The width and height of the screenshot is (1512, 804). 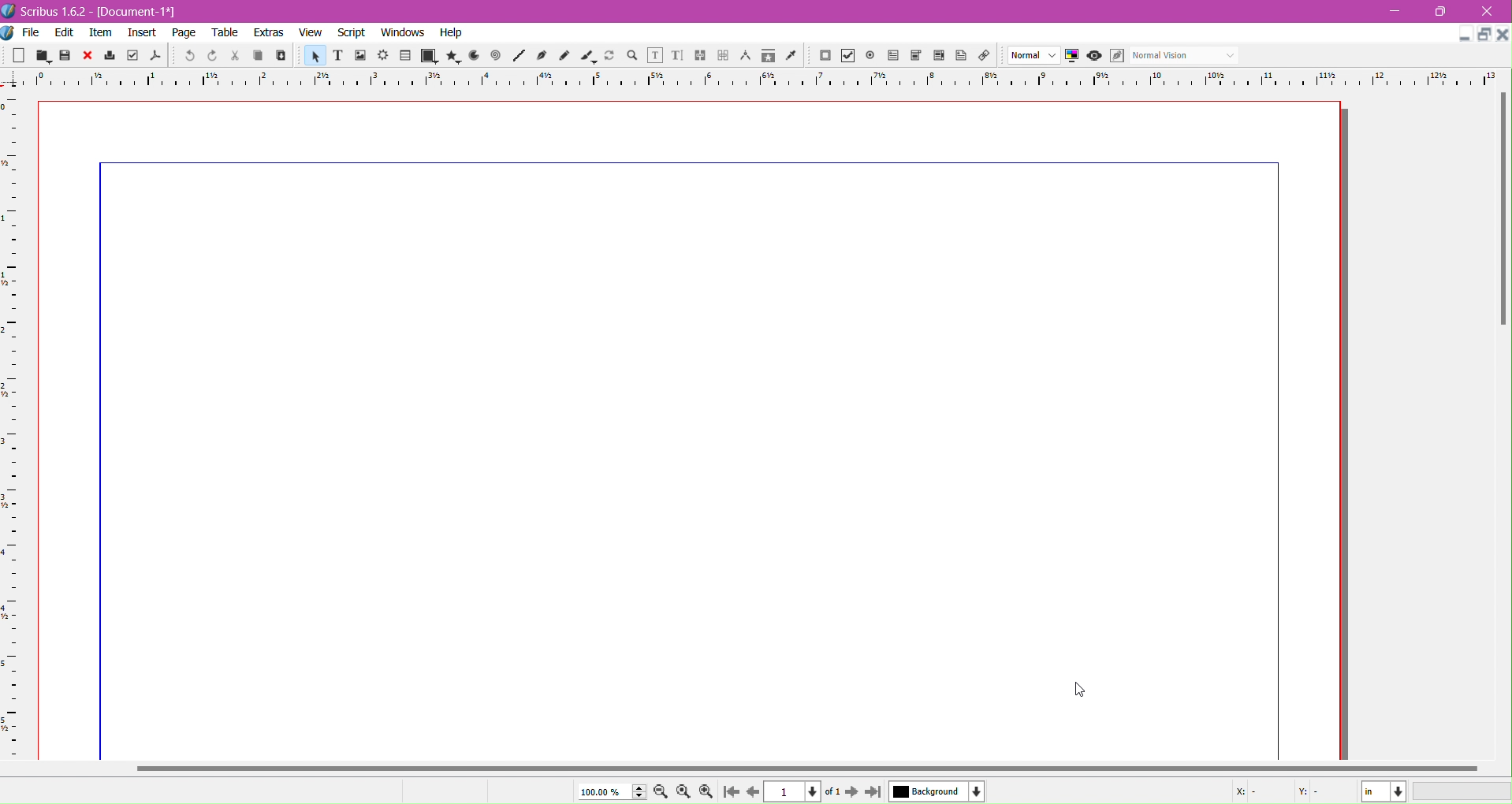 I want to click on rotate item, so click(x=611, y=57).